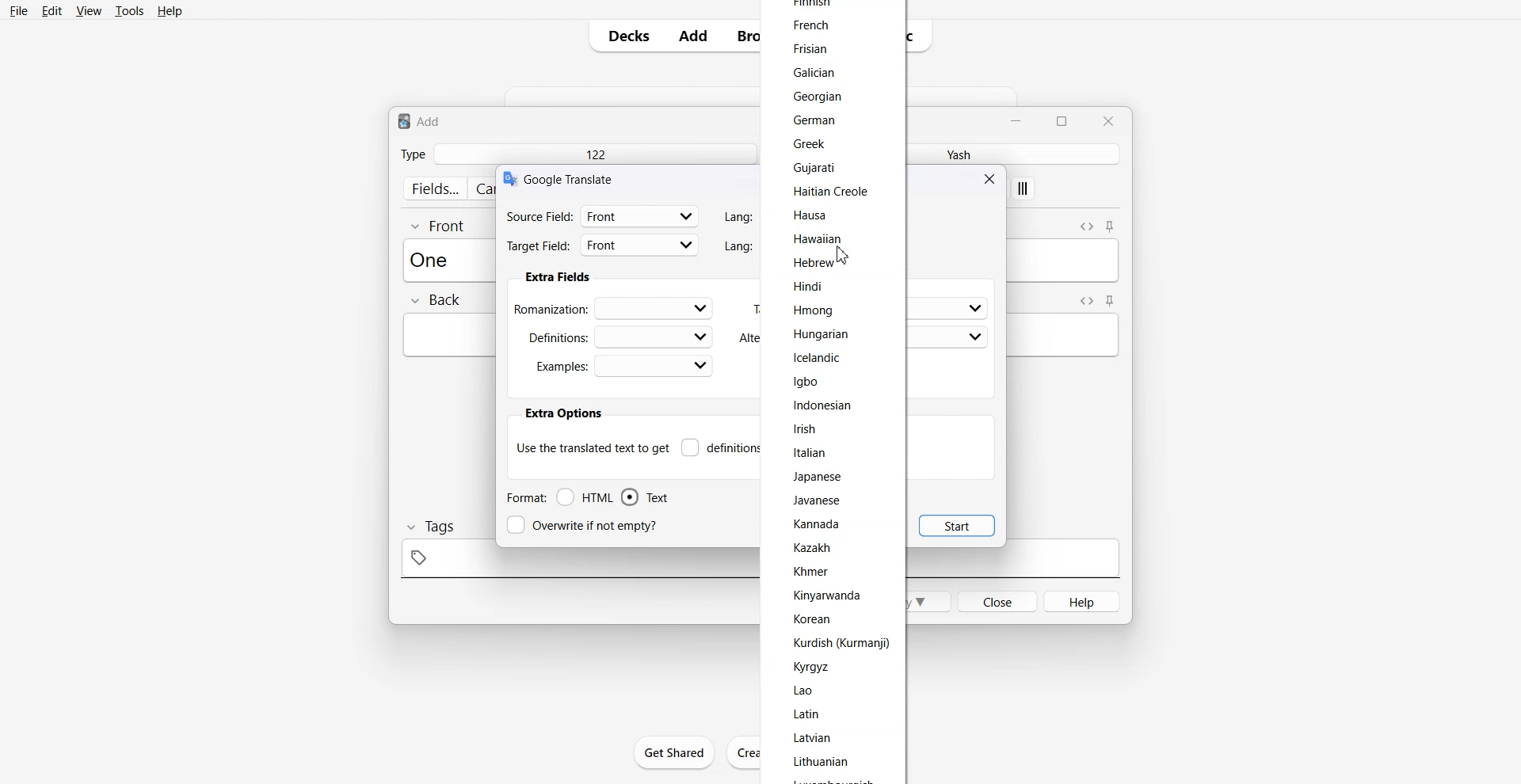 The width and height of the screenshot is (1521, 784). What do you see at coordinates (842, 256) in the screenshot?
I see `Cursor` at bounding box center [842, 256].